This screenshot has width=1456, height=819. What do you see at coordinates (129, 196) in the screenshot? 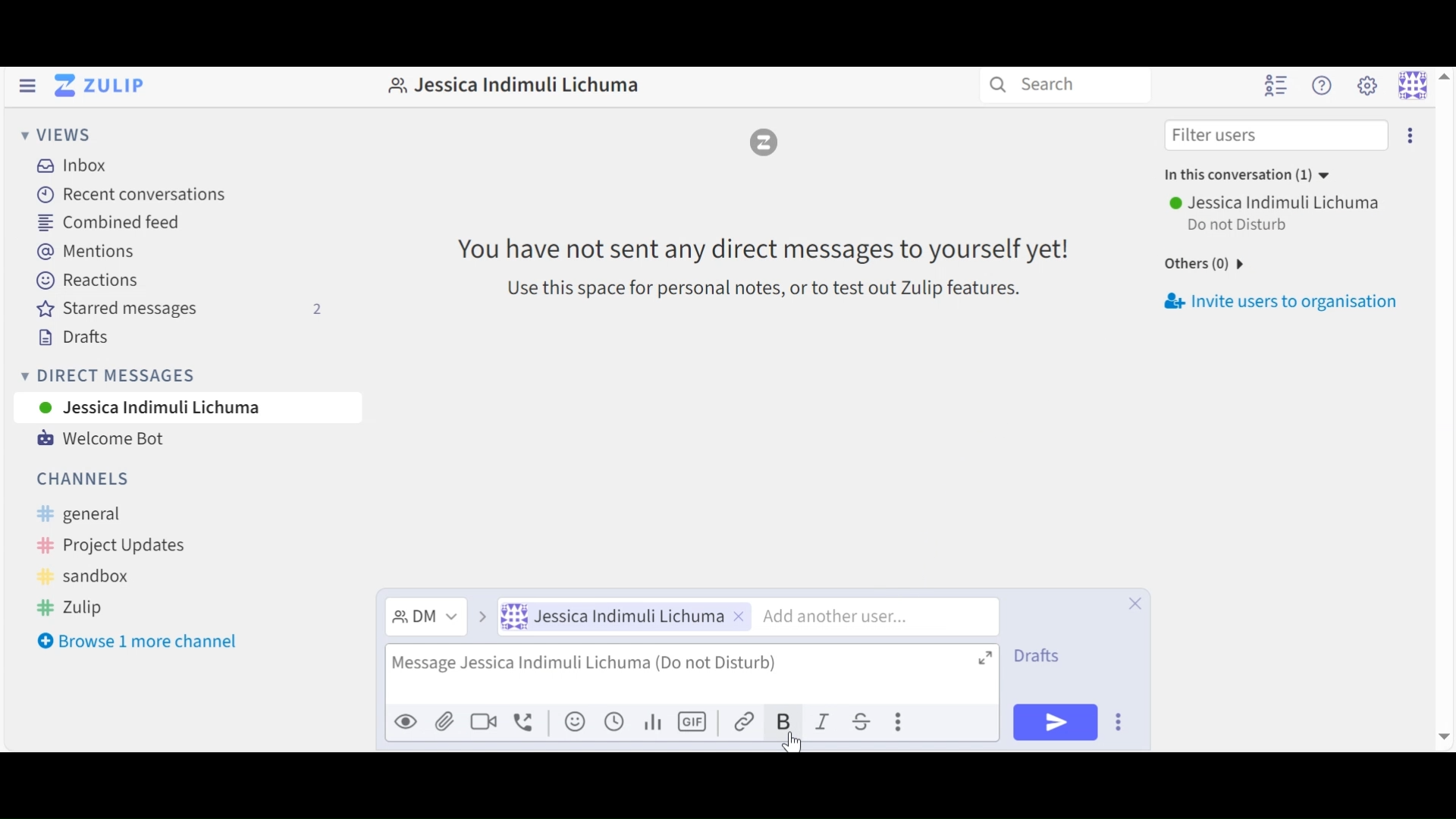
I see `Recent Conversations` at bounding box center [129, 196].